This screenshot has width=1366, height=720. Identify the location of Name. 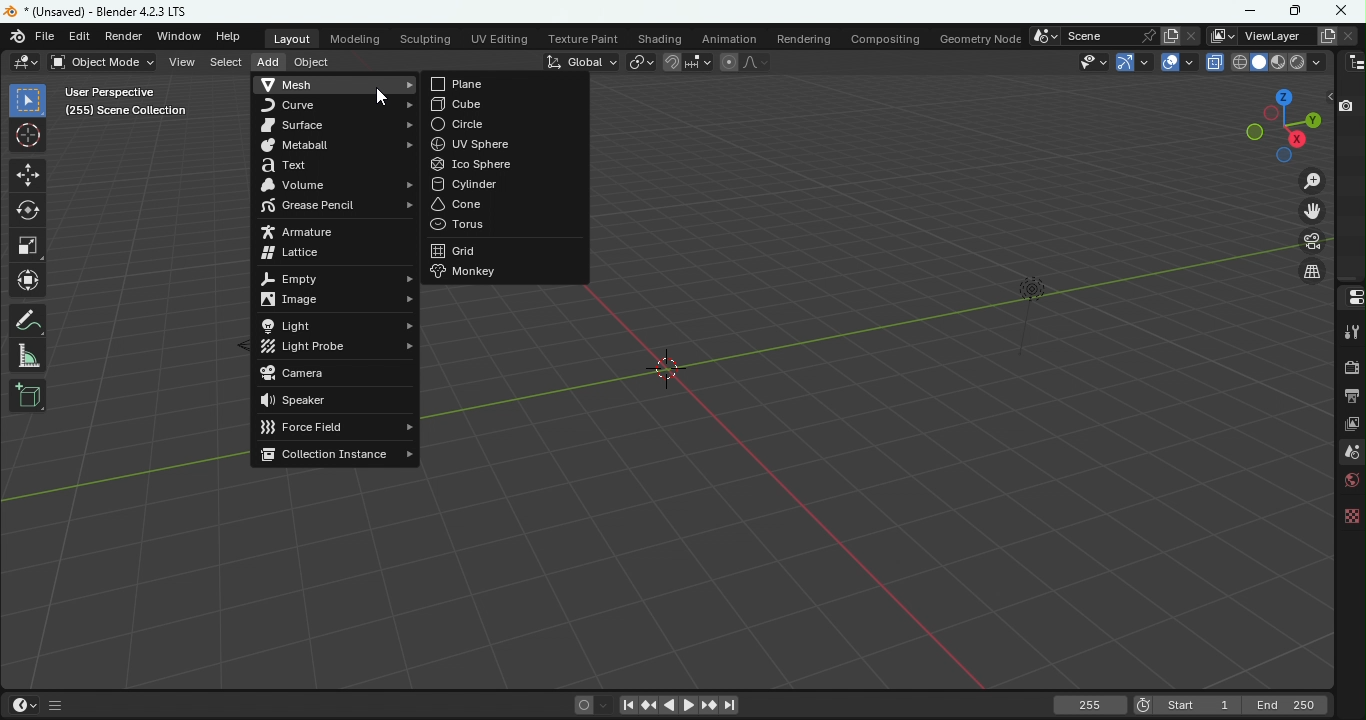
(1273, 34).